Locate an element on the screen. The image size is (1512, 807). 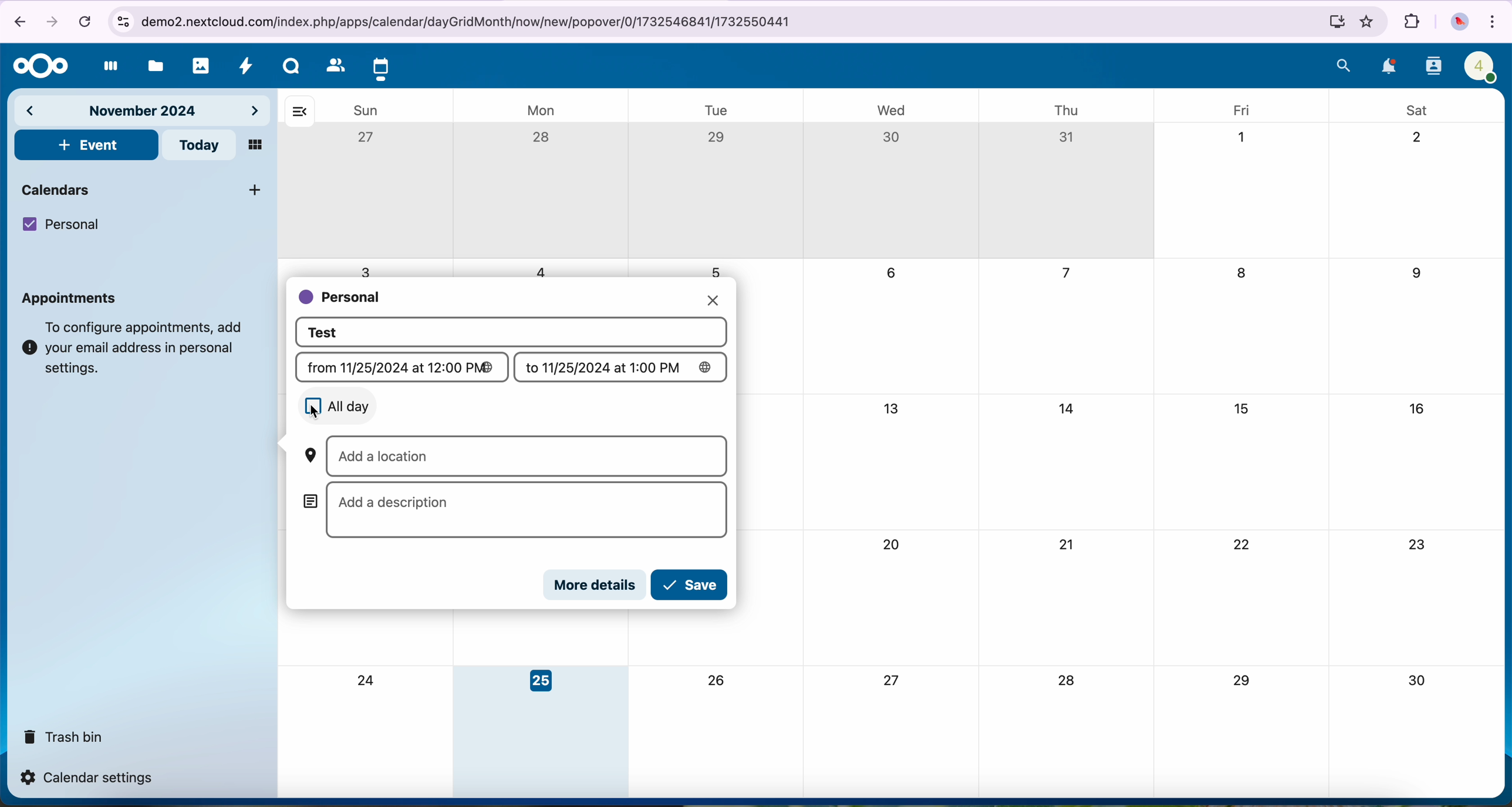
to (date) is located at coordinates (623, 368).